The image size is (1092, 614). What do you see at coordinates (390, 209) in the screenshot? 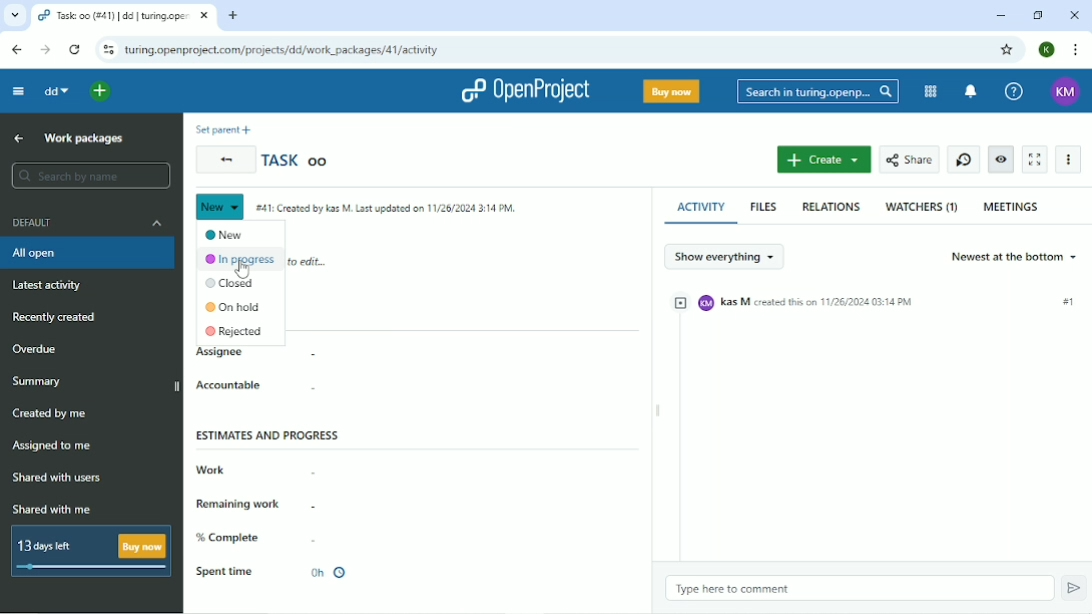
I see `#41: Created by Kas m. Last updated on 11/26/2024 3:14 PM .` at bounding box center [390, 209].